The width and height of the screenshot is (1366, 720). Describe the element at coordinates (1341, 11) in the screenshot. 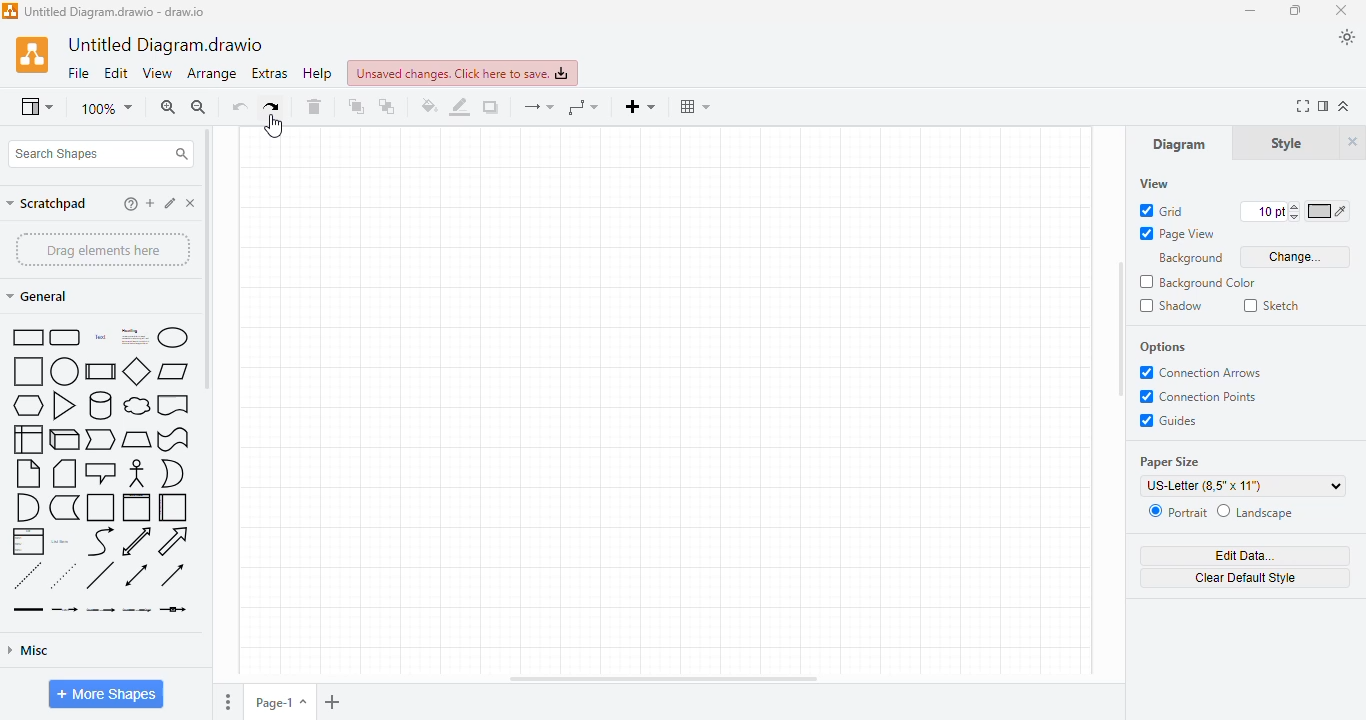

I see `close` at that location.